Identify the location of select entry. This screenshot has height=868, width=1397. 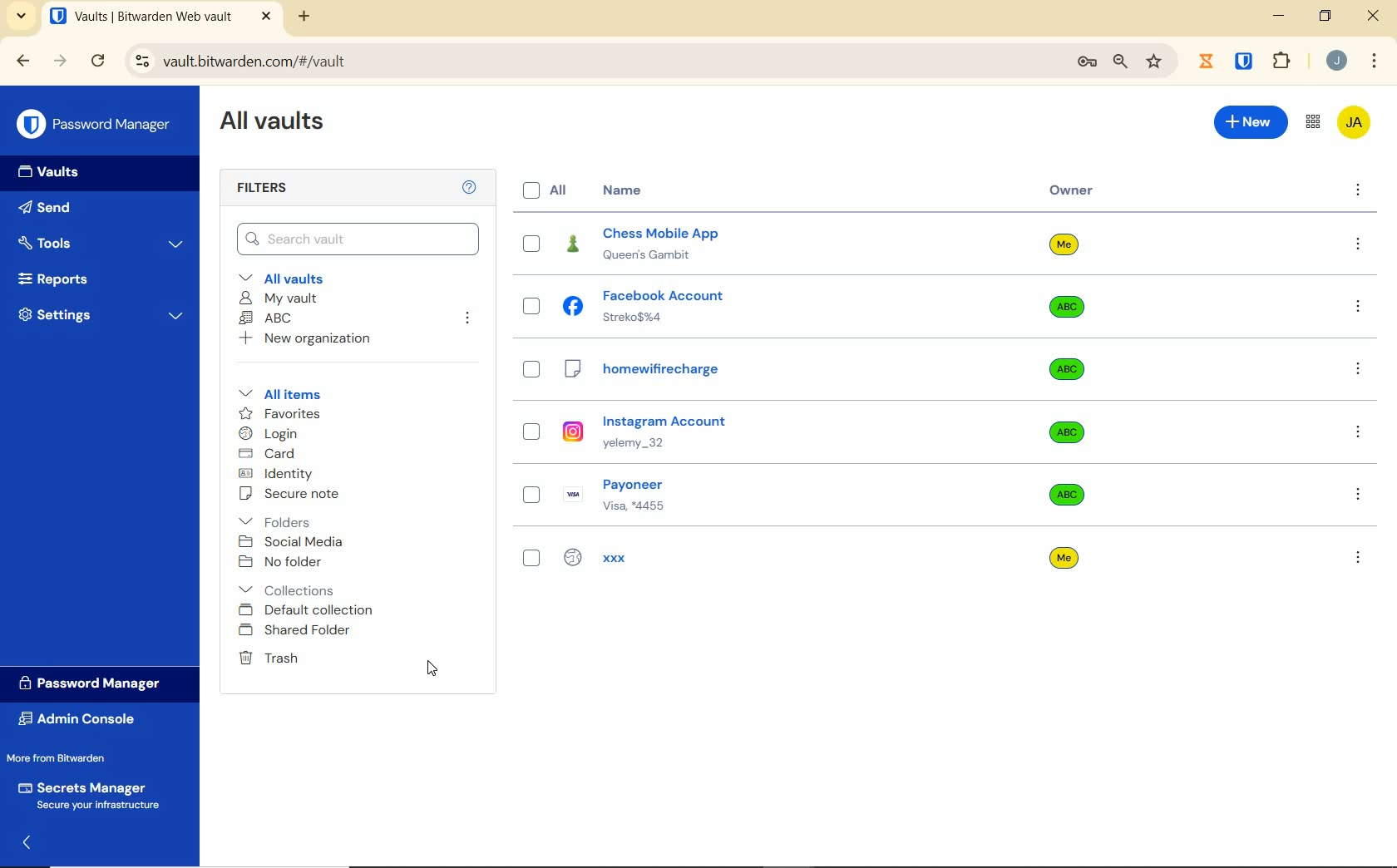
(531, 431).